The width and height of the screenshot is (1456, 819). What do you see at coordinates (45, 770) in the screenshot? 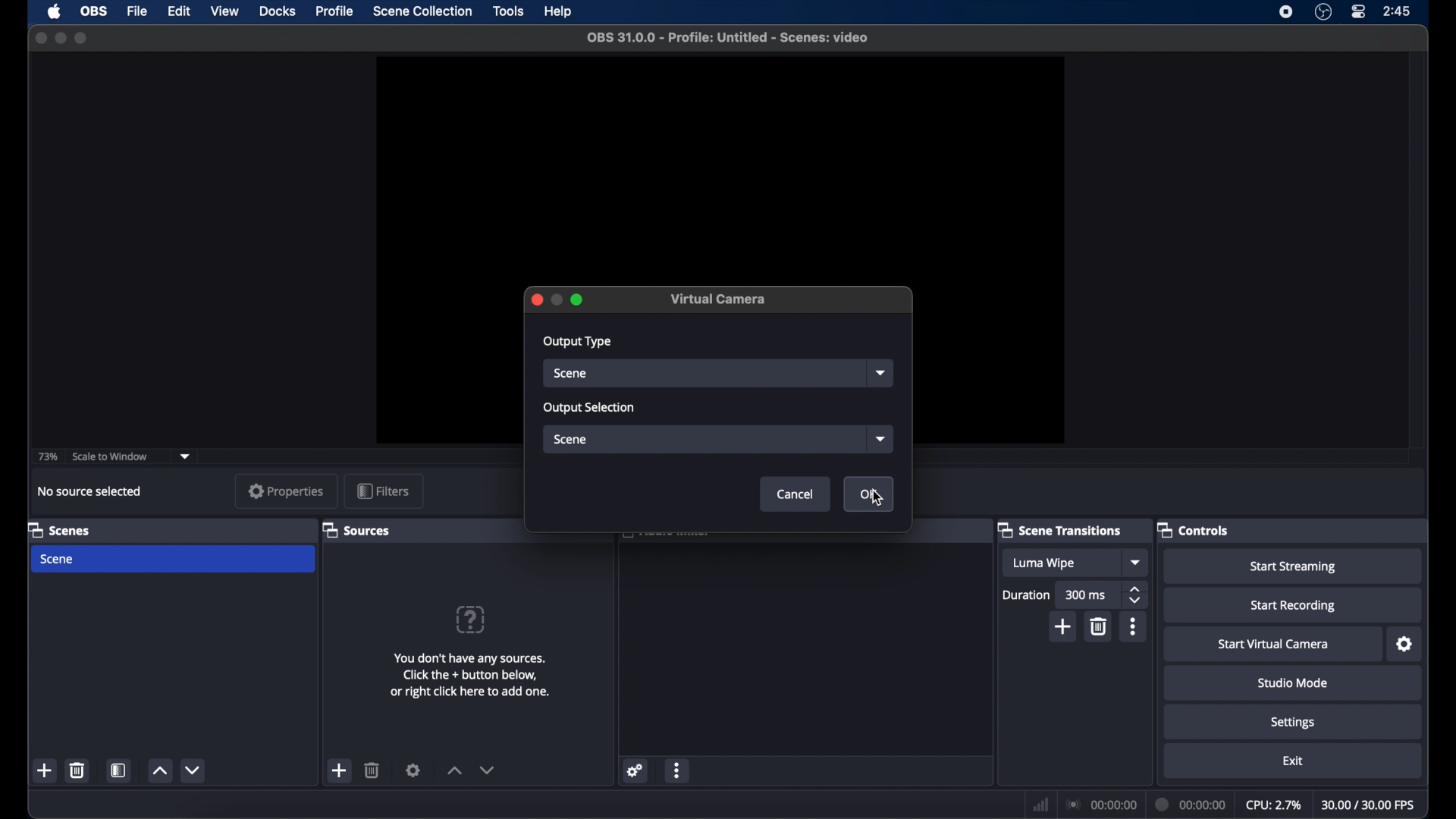
I see `add` at bounding box center [45, 770].